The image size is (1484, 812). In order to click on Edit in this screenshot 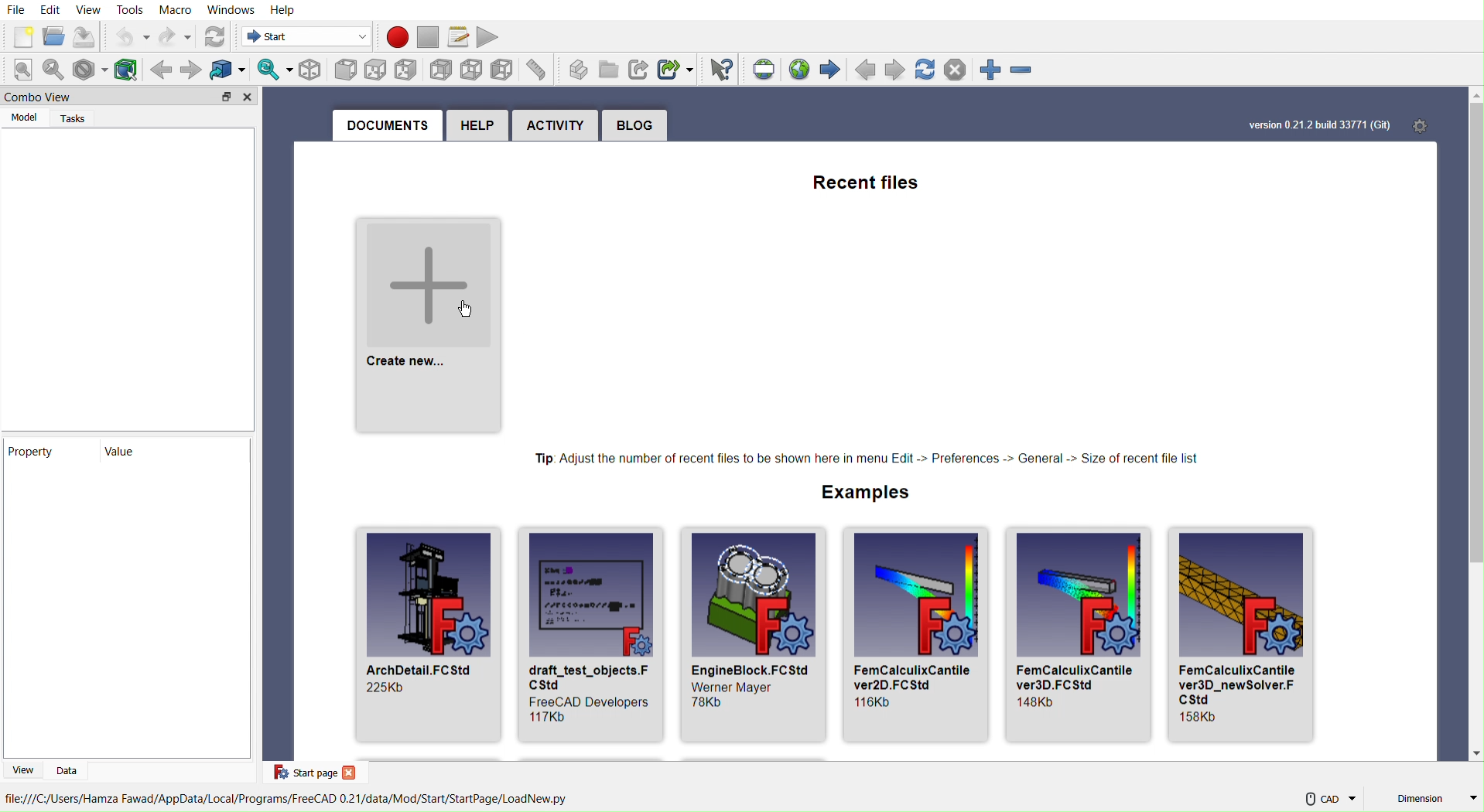, I will do `click(50, 9)`.